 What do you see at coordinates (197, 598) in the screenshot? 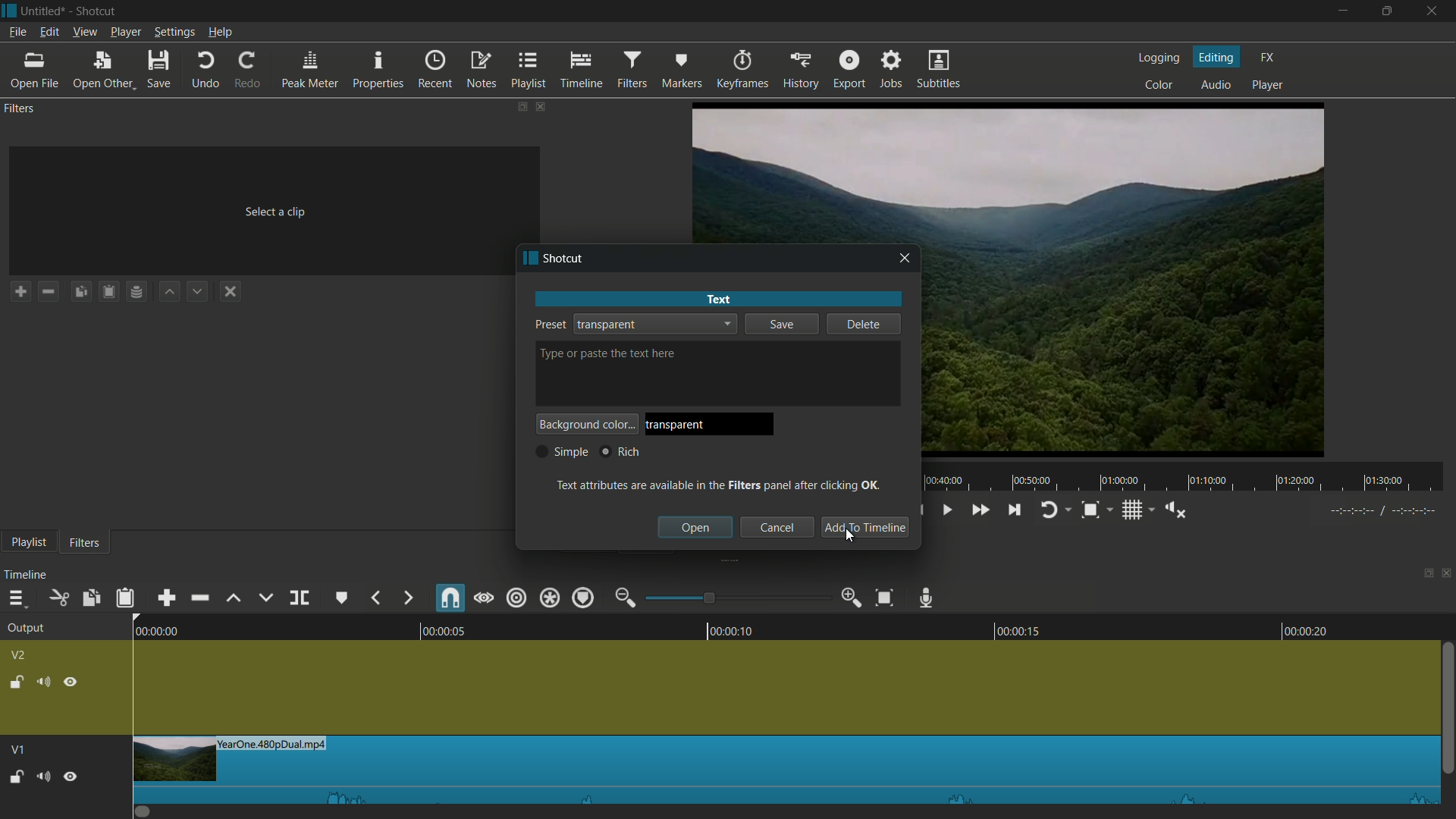
I see `ripple delete` at bounding box center [197, 598].